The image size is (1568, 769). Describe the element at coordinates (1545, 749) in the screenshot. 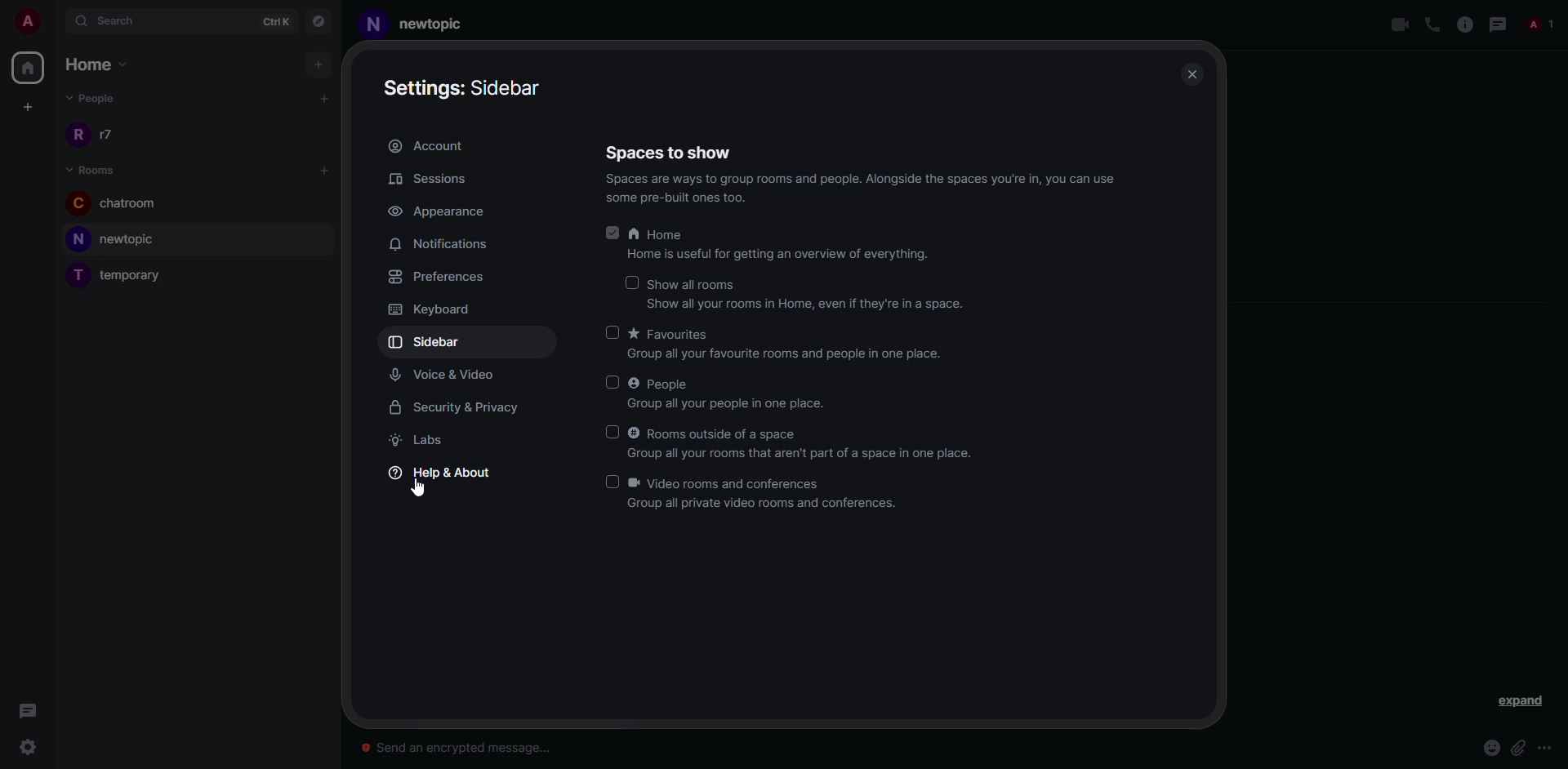

I see `more` at that location.